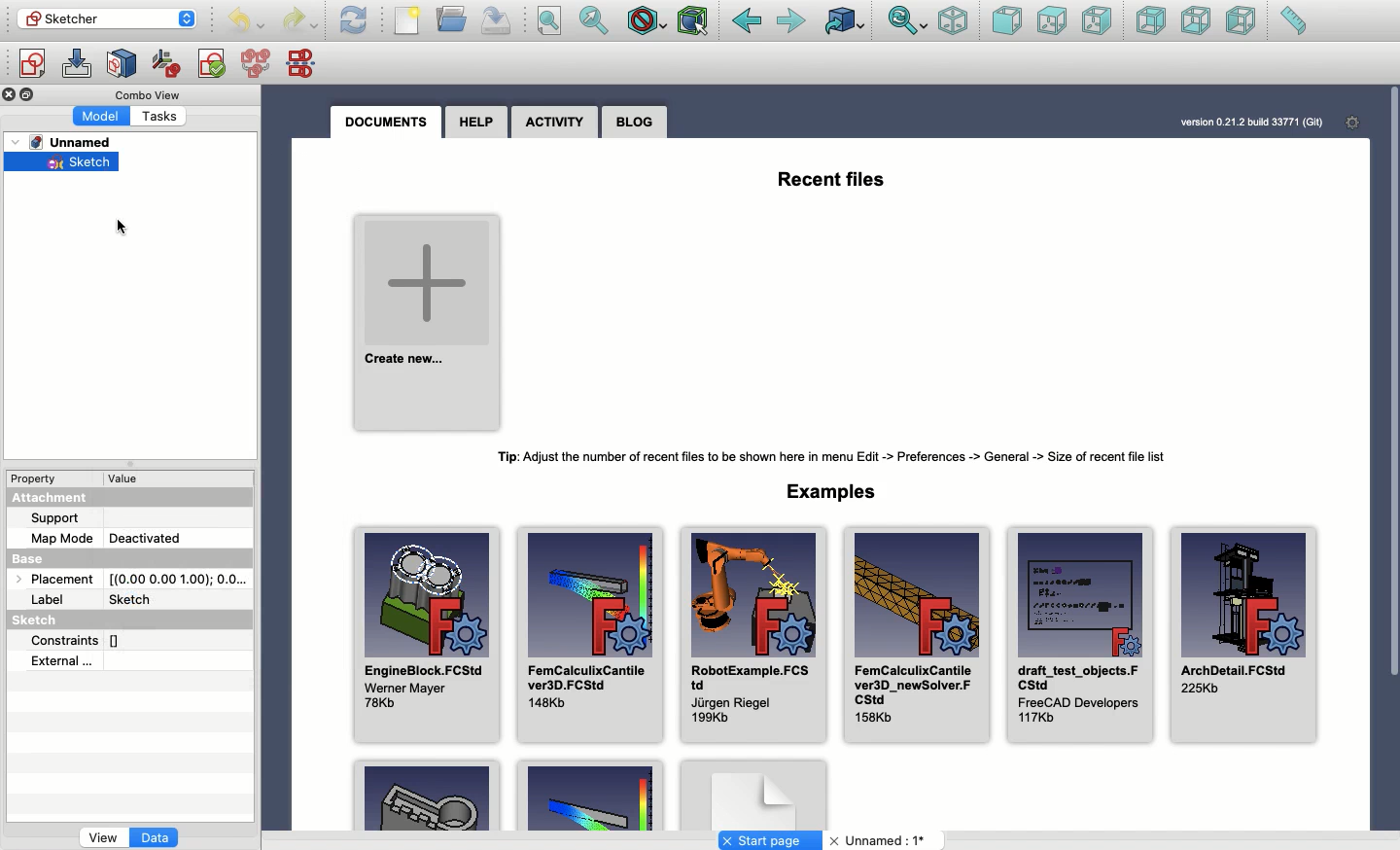 The image size is (1400, 850). What do you see at coordinates (259, 64) in the screenshot?
I see `Merge sketches` at bounding box center [259, 64].